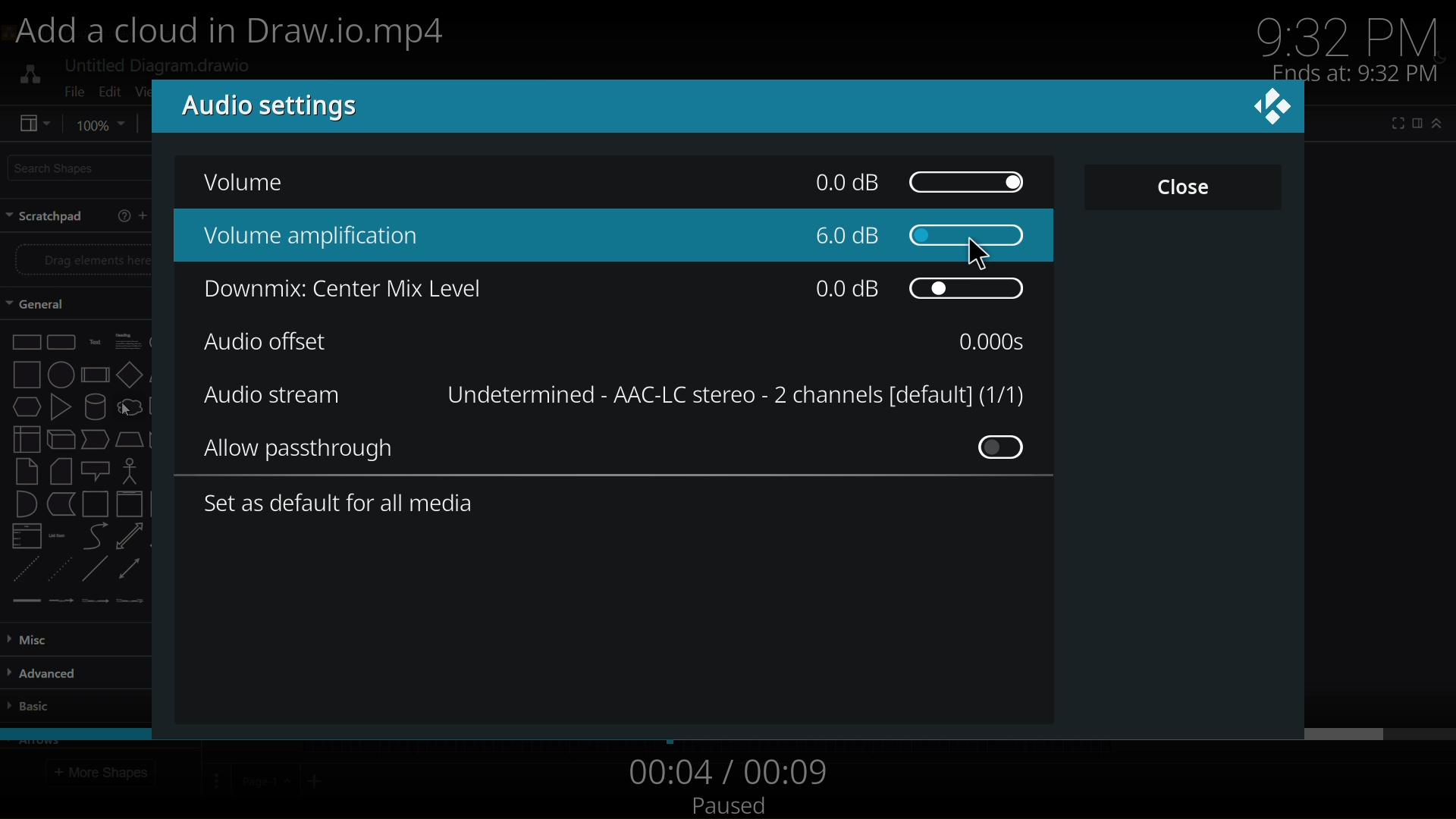 This screenshot has width=1456, height=819. Describe the element at coordinates (609, 239) in the screenshot. I see `Volume amplification 6.0 dB ` at that location.